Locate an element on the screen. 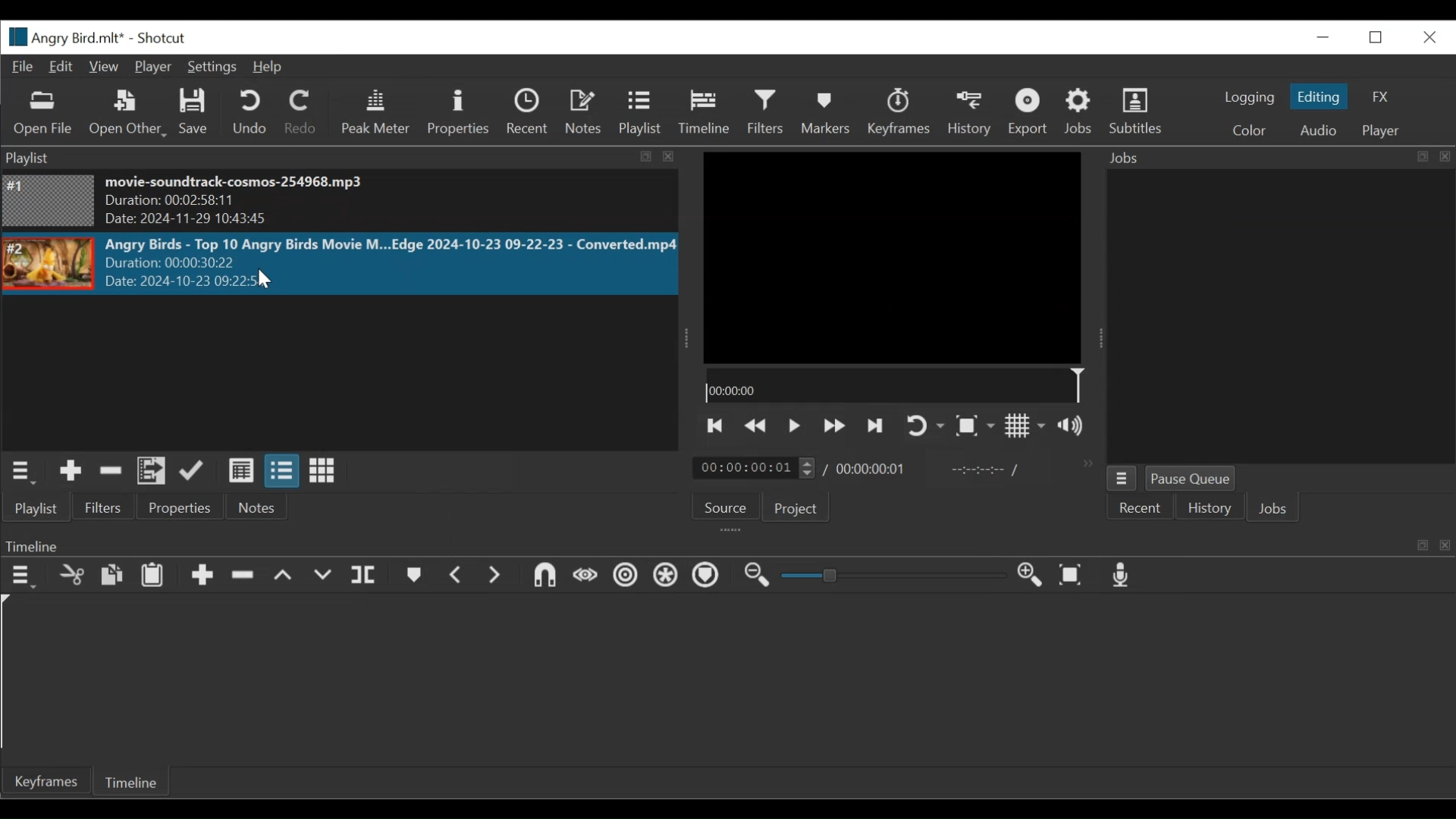 Image resolution: width=1456 pixels, height=819 pixels. minimize is located at coordinates (1323, 35).